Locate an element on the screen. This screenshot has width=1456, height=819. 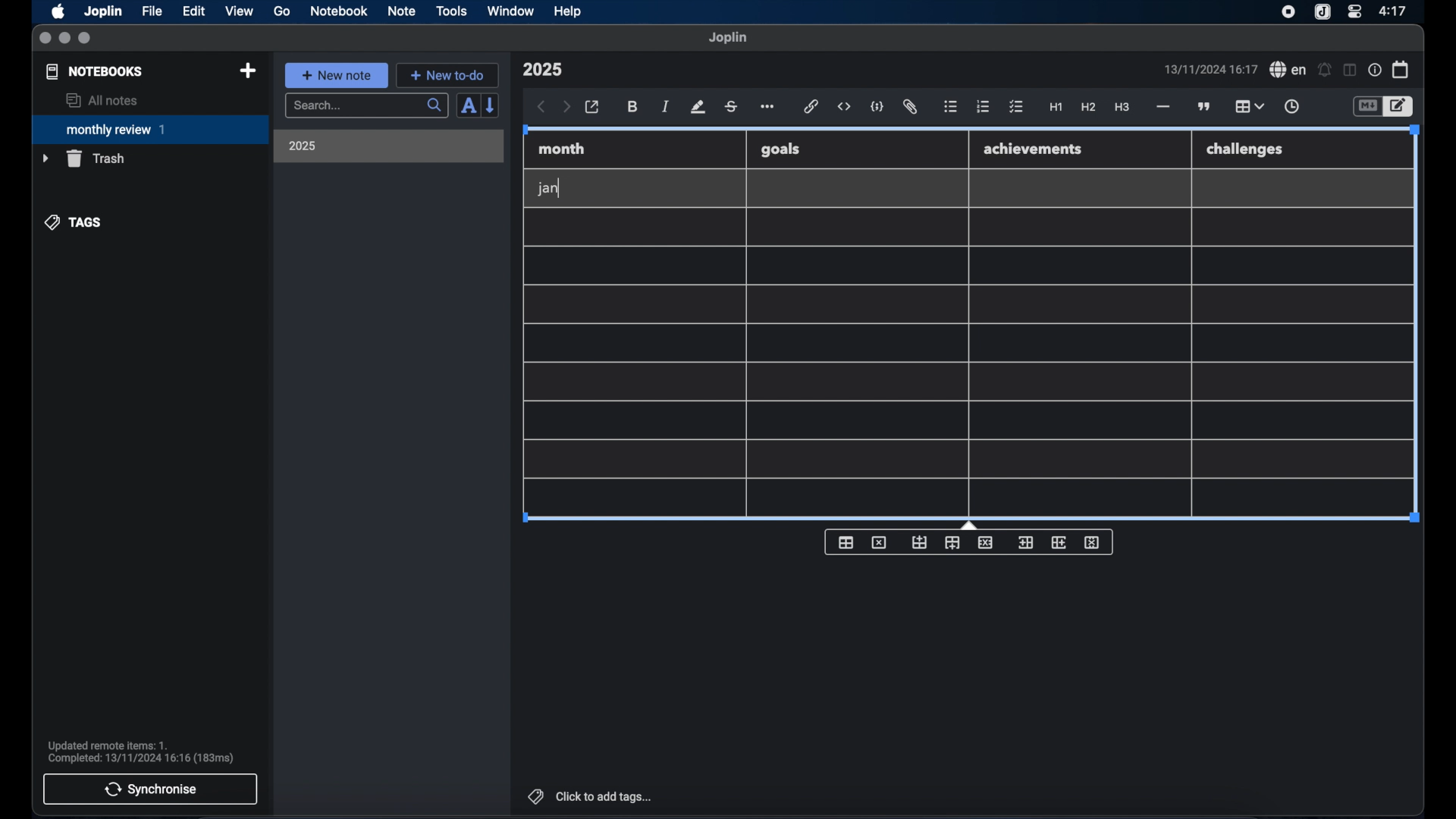
synchronise is located at coordinates (150, 789).